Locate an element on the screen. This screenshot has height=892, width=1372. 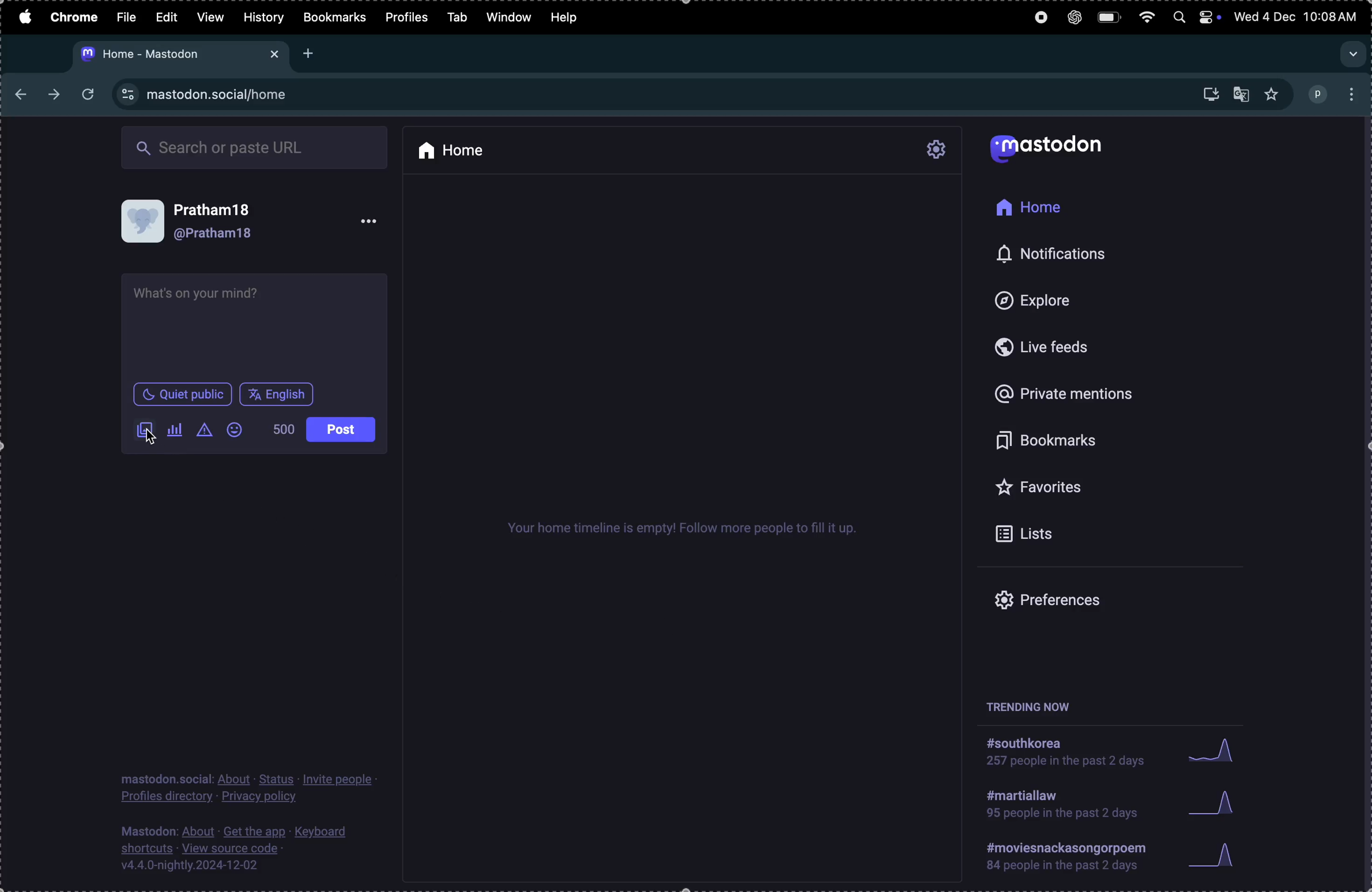
battery is located at coordinates (1109, 17).